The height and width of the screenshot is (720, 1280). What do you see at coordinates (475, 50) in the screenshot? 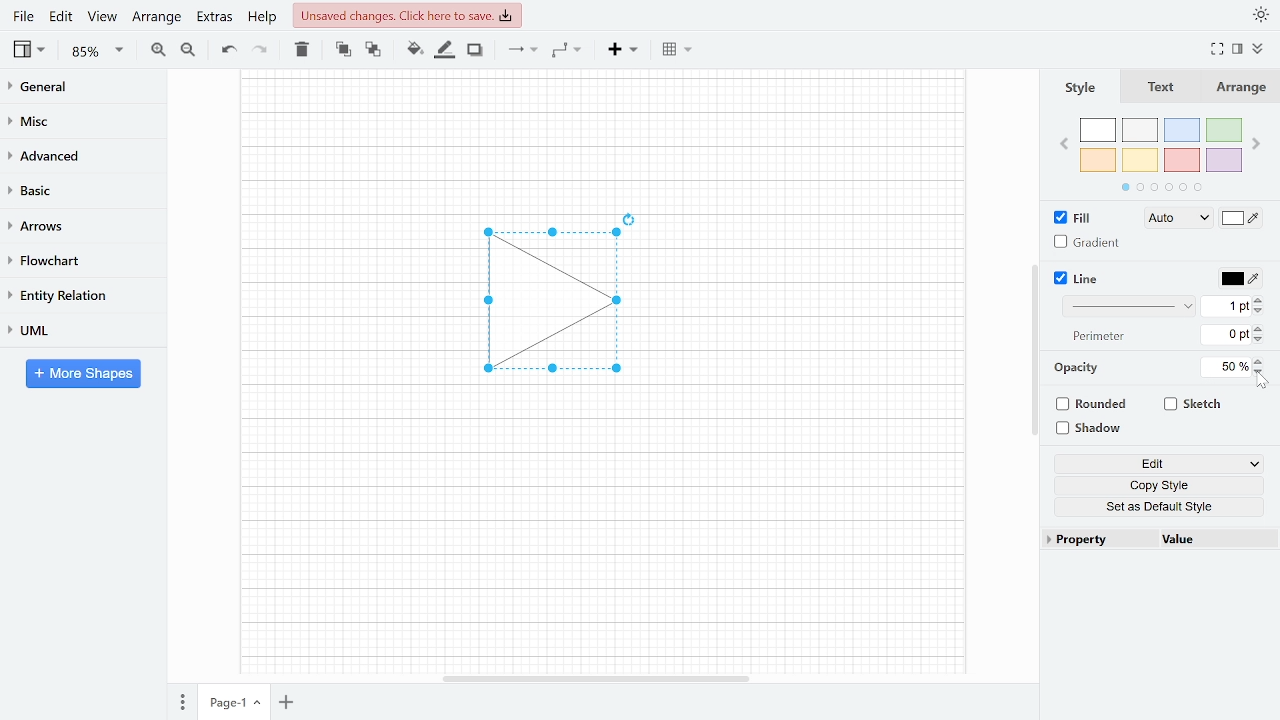
I see `Shadow` at bounding box center [475, 50].